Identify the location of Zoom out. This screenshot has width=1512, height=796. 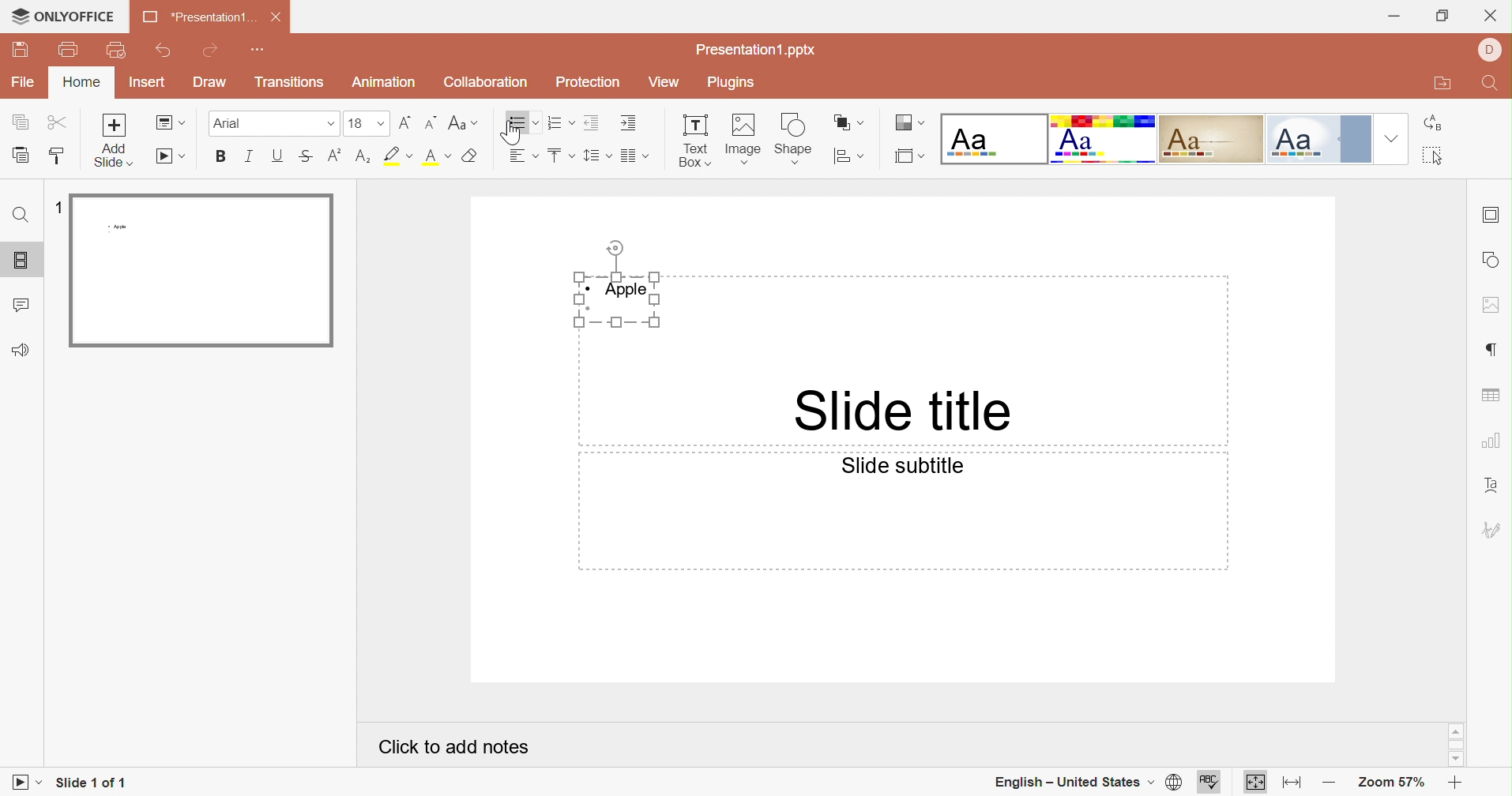
(1330, 782).